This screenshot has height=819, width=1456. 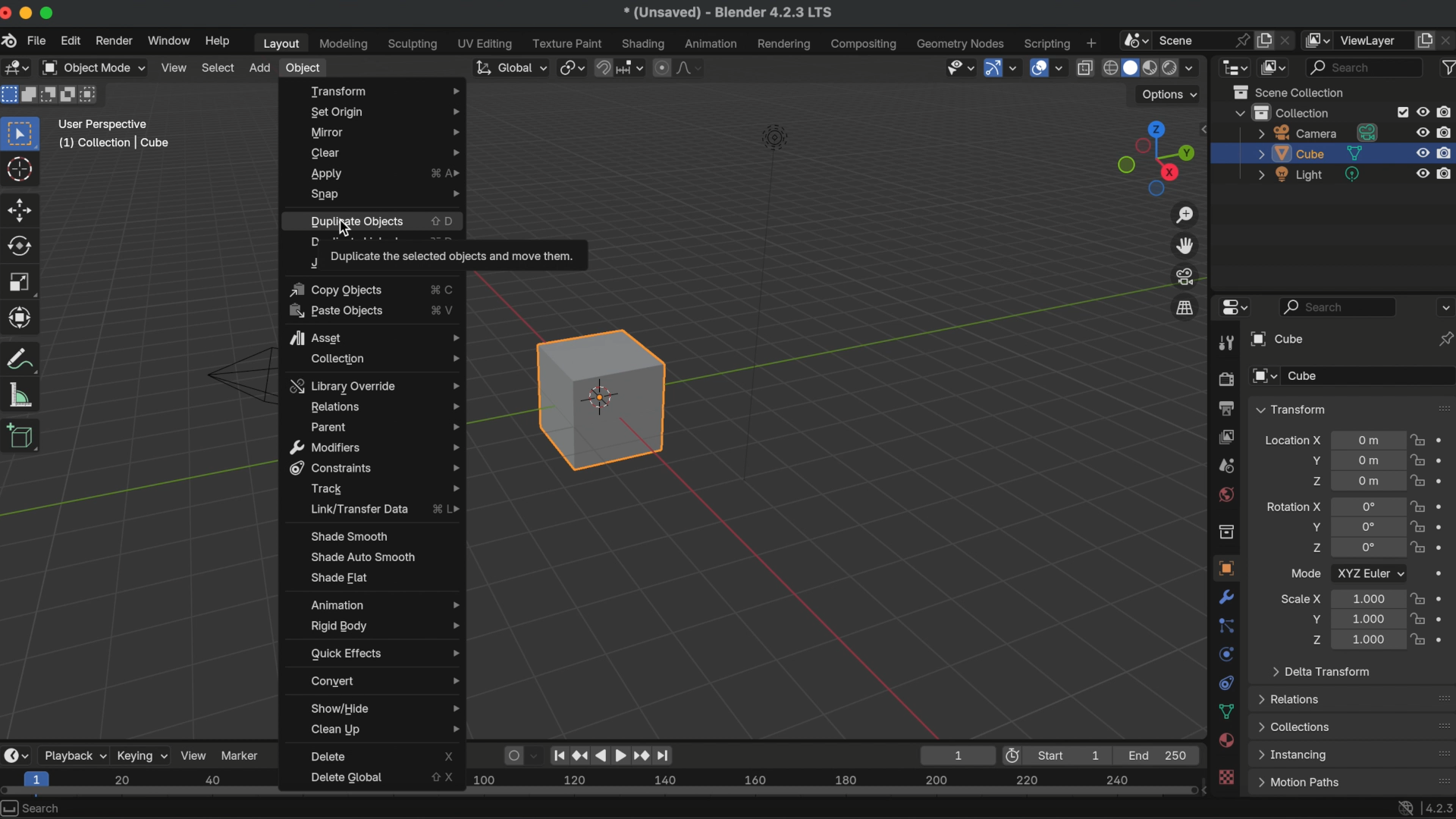 I want to click on light, so click(x=1310, y=174).